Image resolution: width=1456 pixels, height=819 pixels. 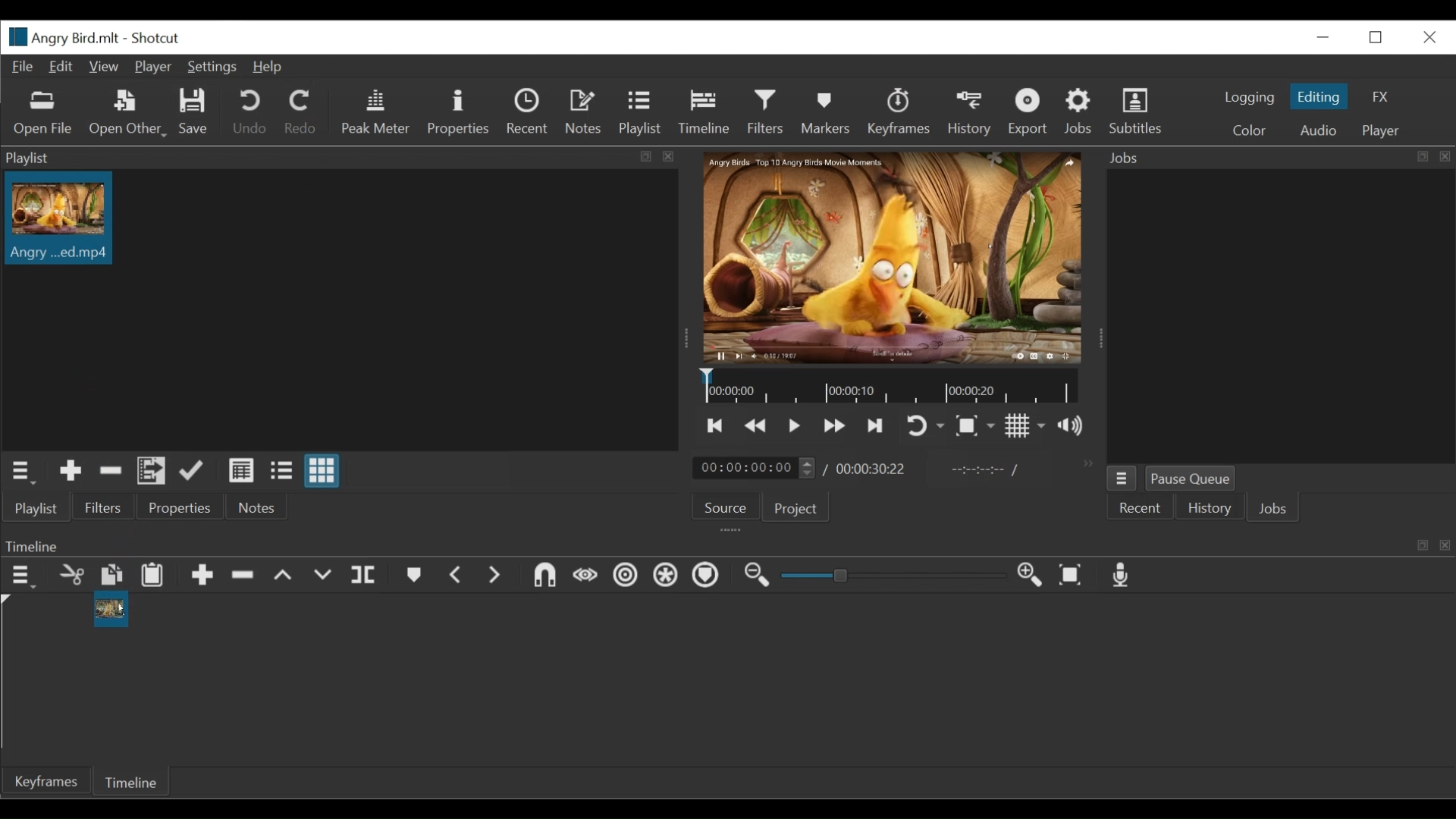 I want to click on Play quickly forward, so click(x=835, y=426).